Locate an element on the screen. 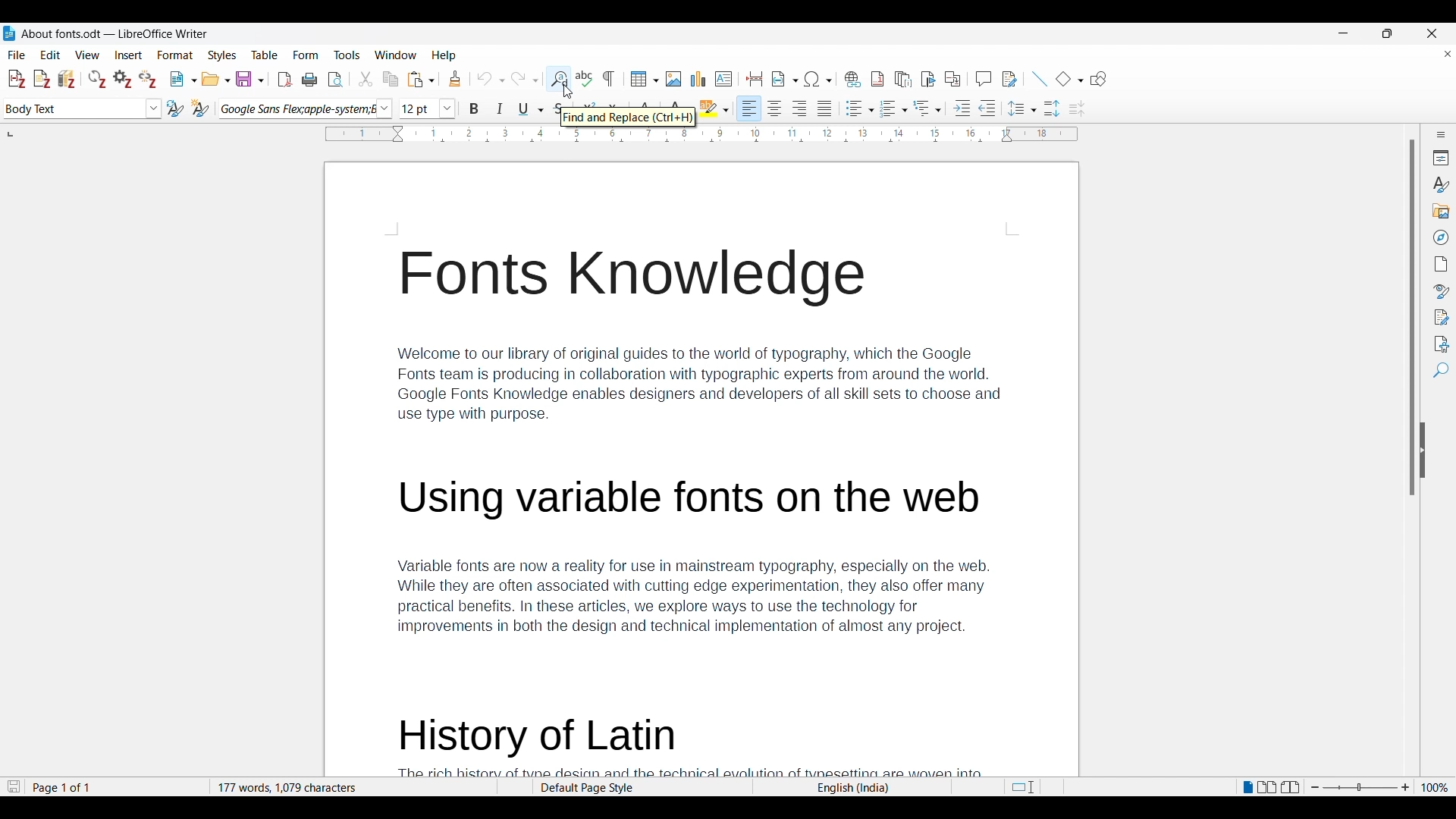 Image resolution: width=1456 pixels, height=819 pixels. Text size options is located at coordinates (447, 109).